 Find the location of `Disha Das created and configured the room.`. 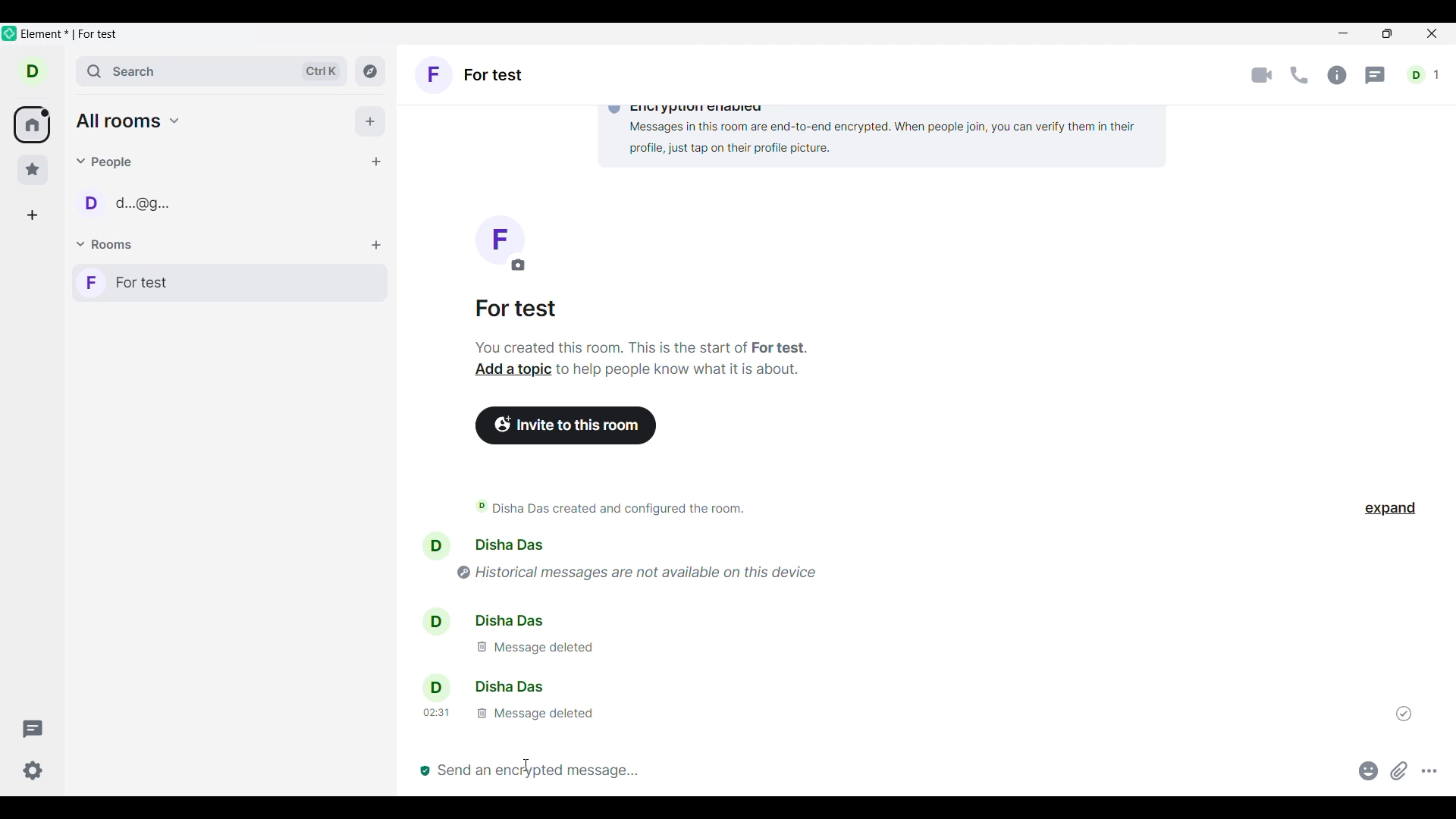

Disha Das created and configured the room. is located at coordinates (622, 508).